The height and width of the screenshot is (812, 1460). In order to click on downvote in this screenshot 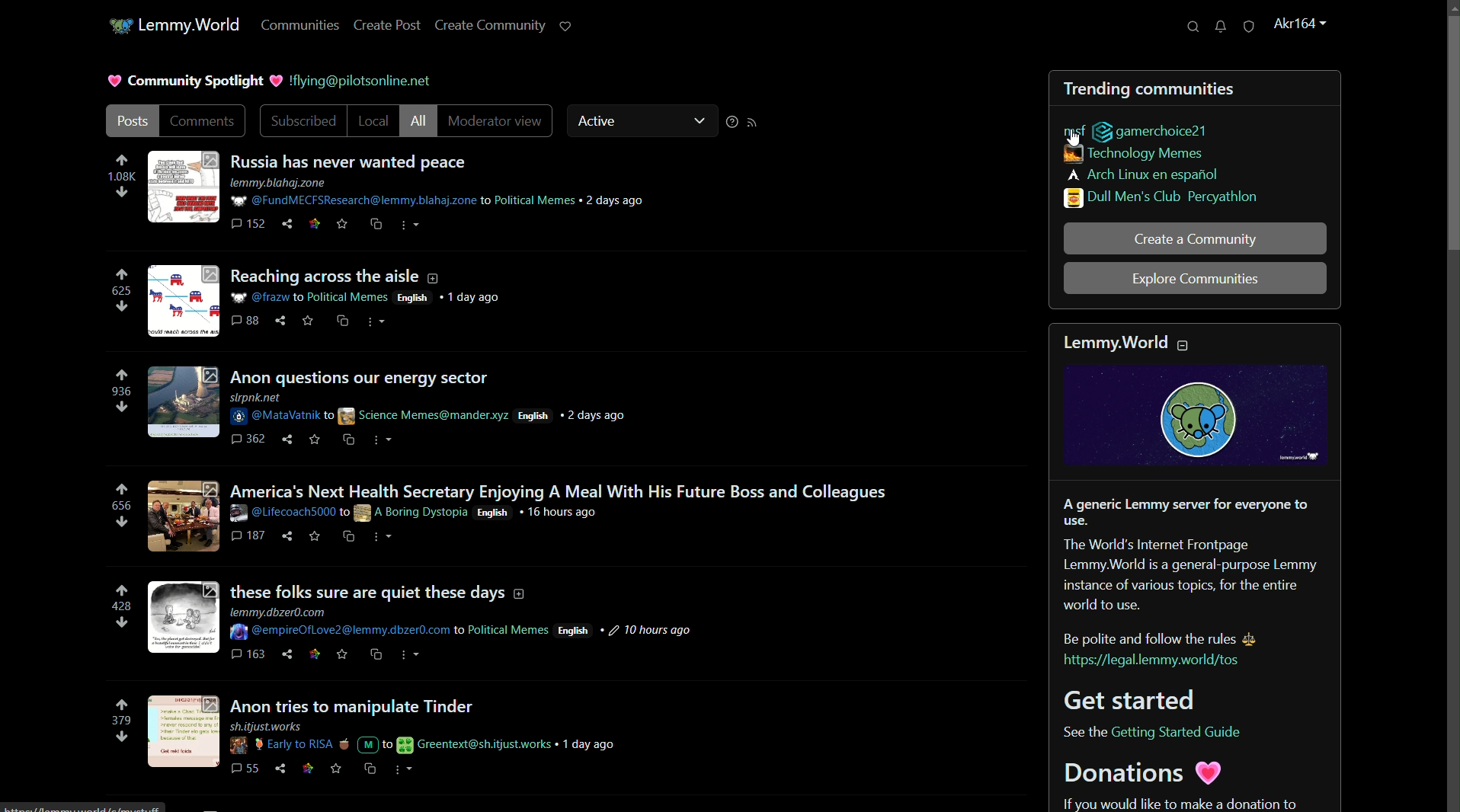, I will do `click(121, 307)`.